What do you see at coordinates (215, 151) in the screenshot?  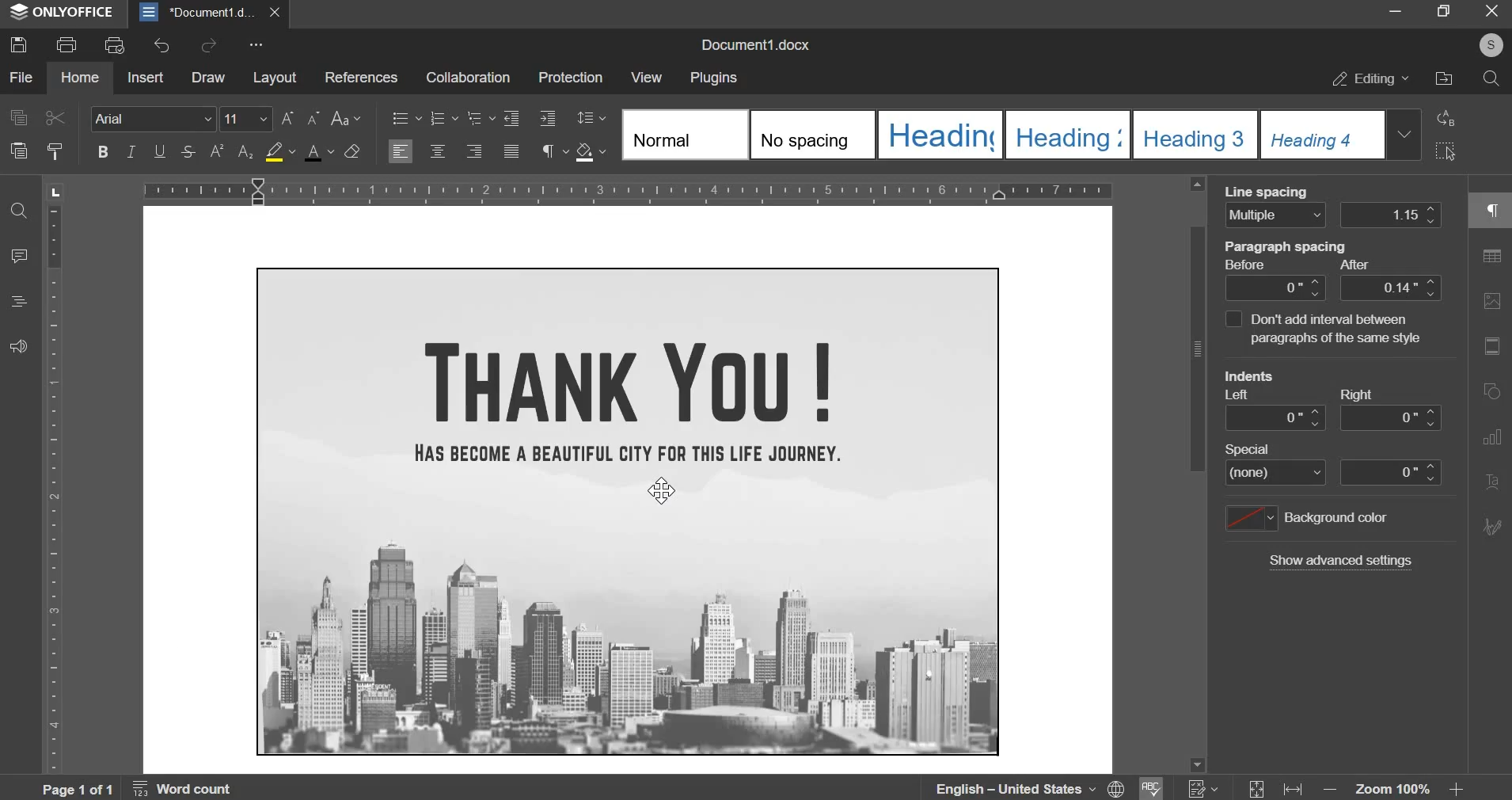 I see `superscript` at bounding box center [215, 151].